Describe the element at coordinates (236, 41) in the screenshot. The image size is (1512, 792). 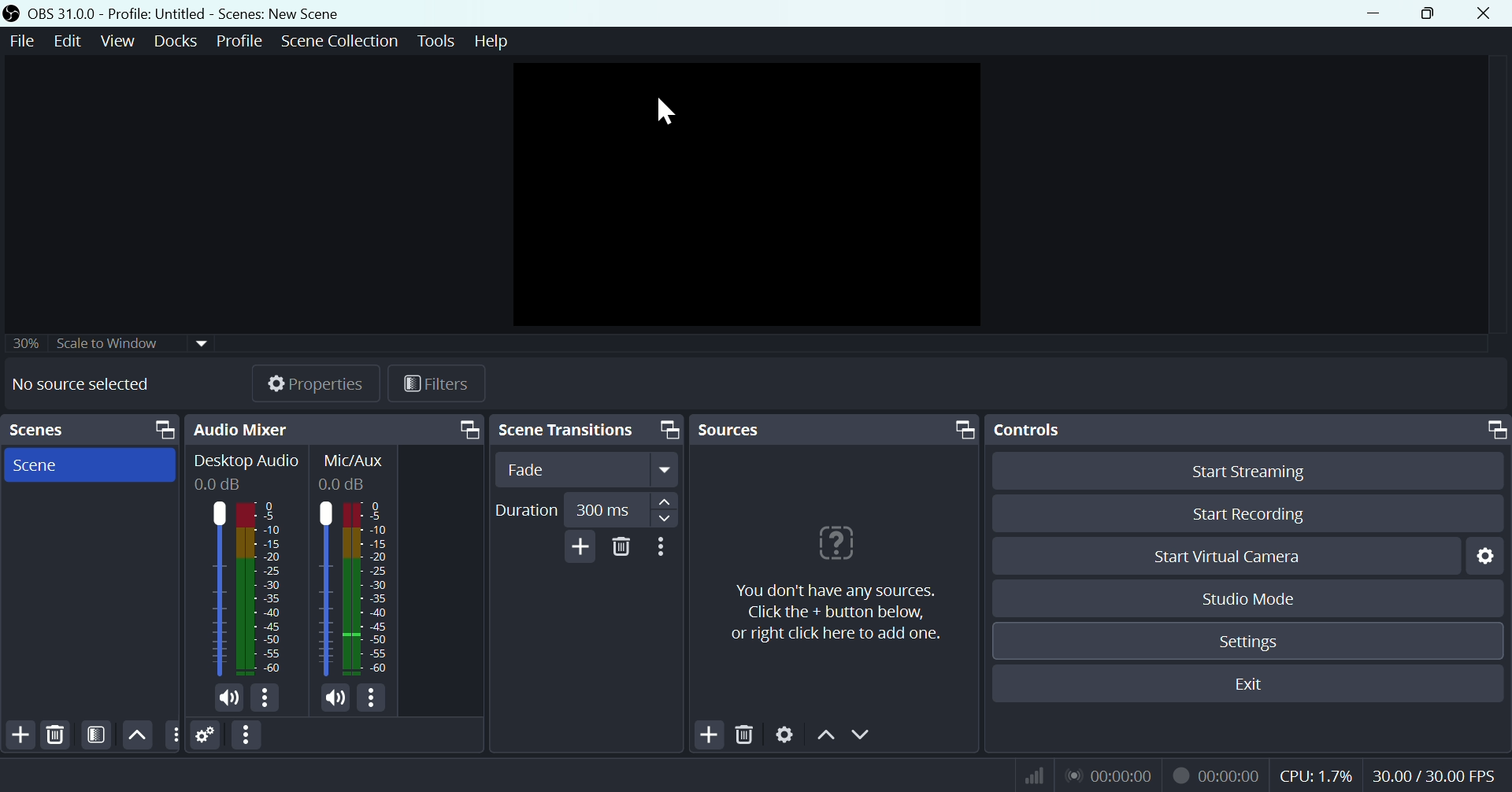
I see `Profile` at that location.